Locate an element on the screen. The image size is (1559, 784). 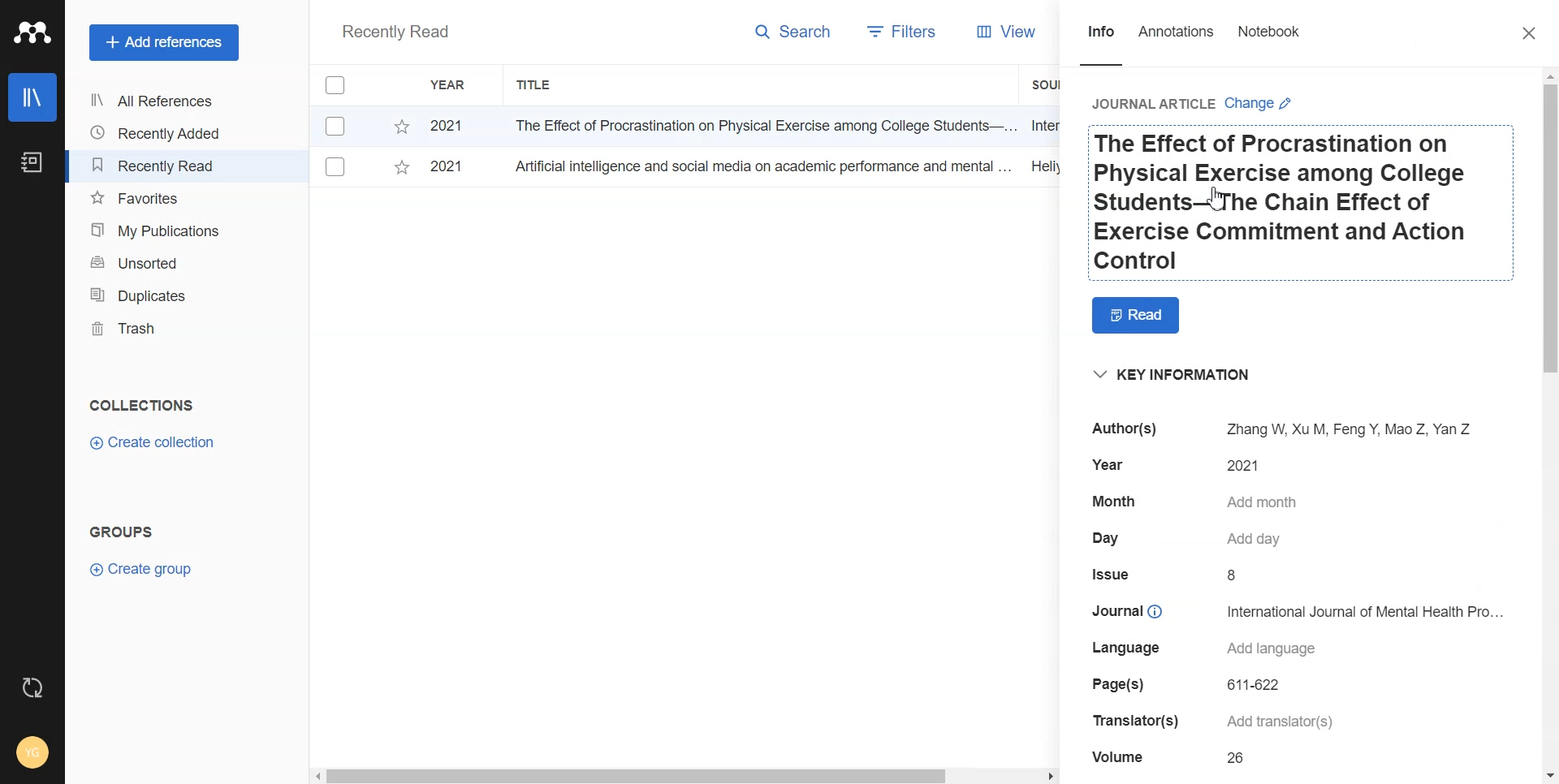
Starred is located at coordinates (401, 127).